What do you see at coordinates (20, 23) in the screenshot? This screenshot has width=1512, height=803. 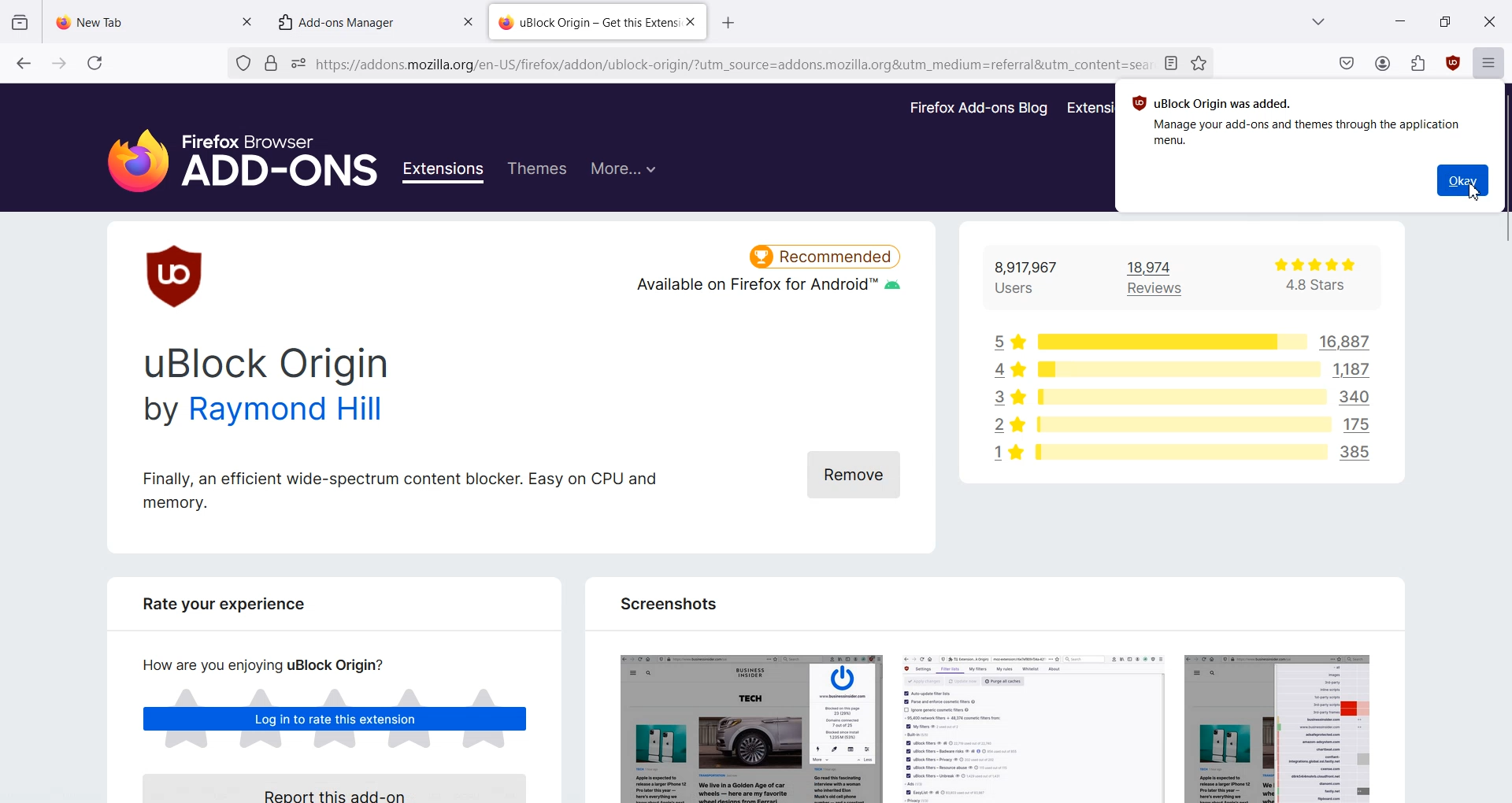 I see `View recent Browsing` at bounding box center [20, 23].